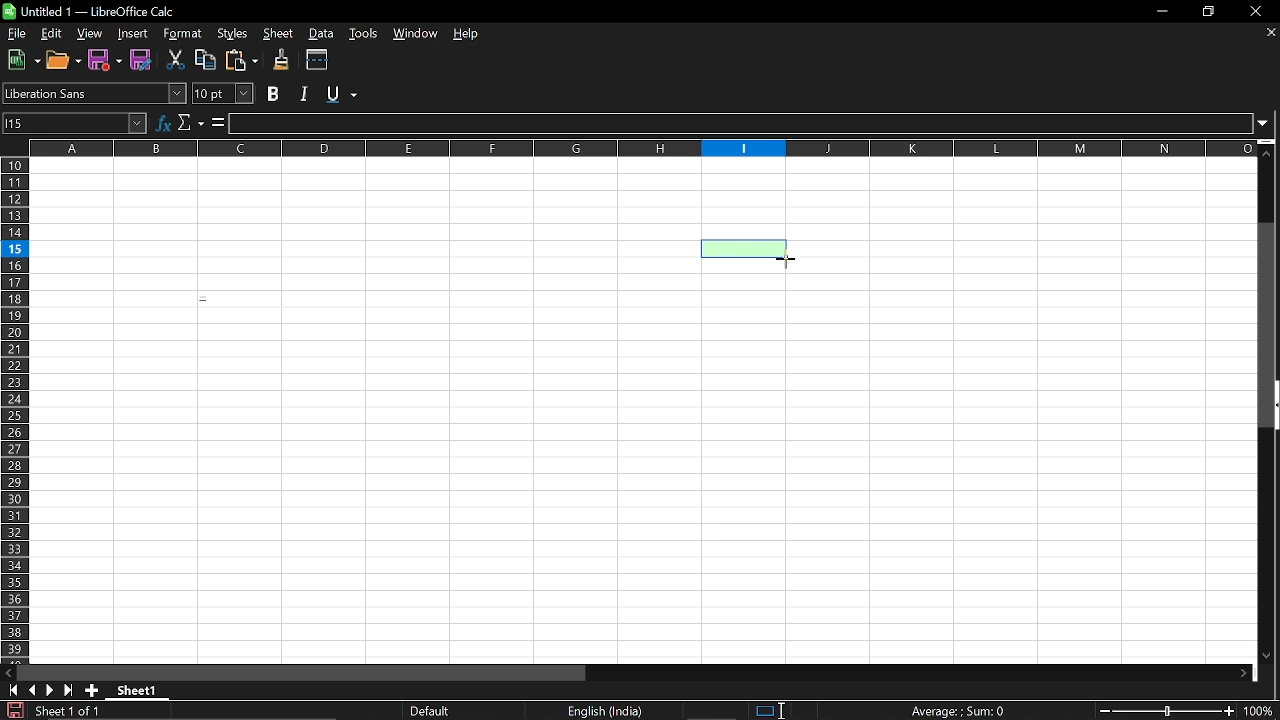  I want to click on Vertical scrollbar, so click(1269, 327).